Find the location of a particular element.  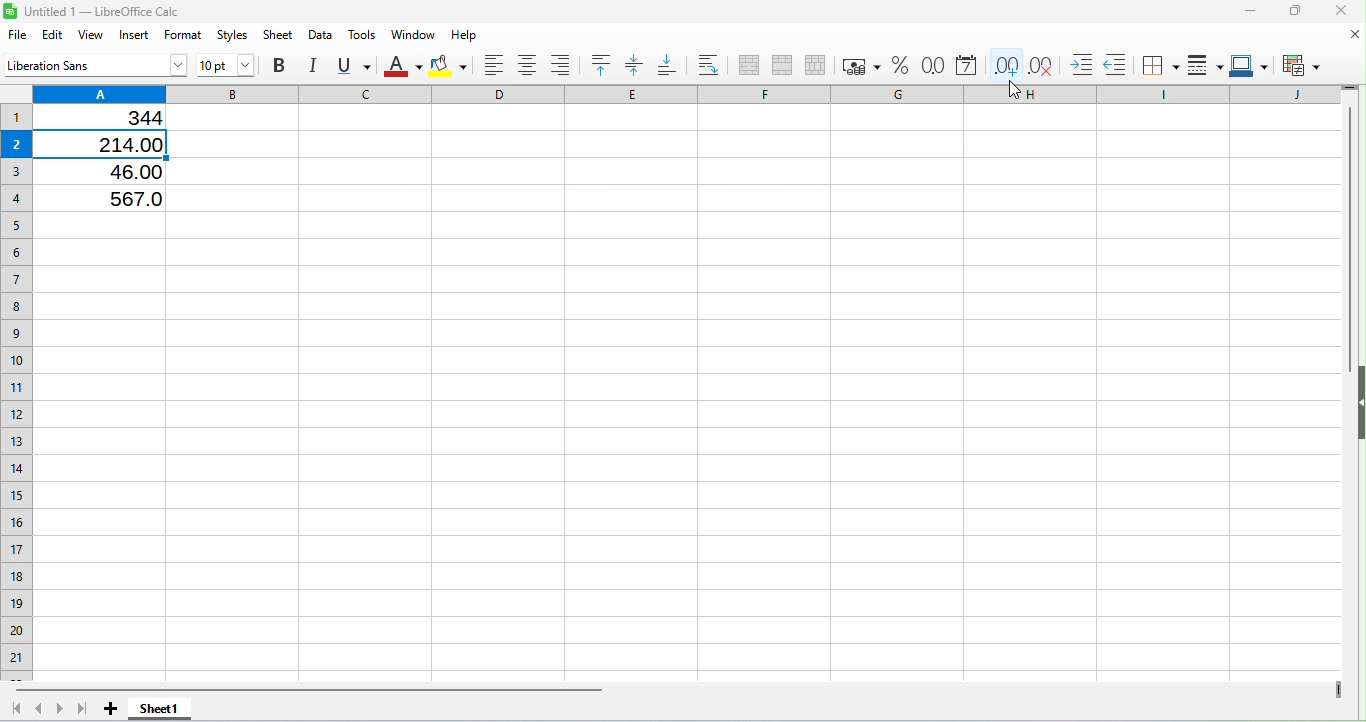

Minimize is located at coordinates (1250, 12).